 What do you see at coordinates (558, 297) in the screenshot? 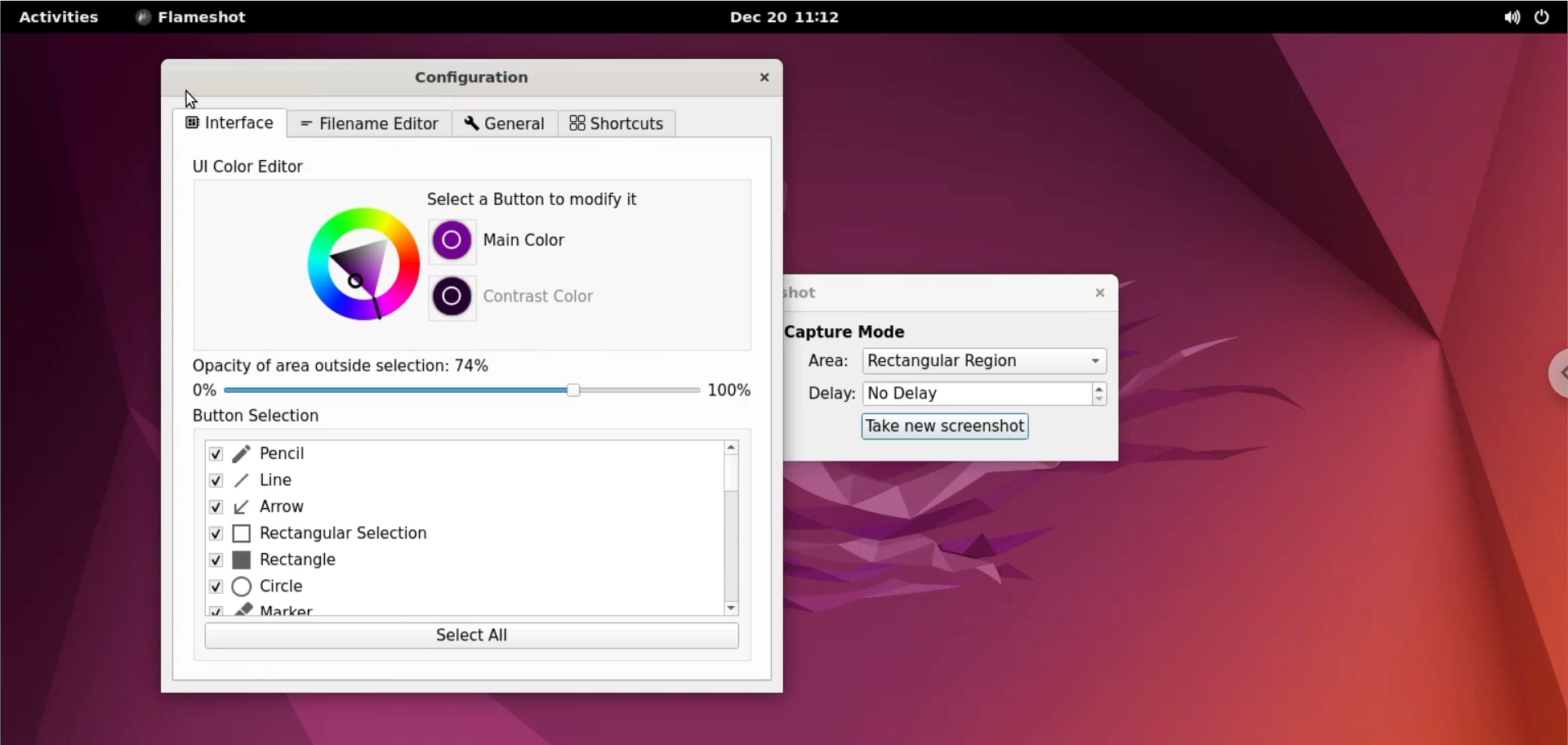
I see `contrast color` at bounding box center [558, 297].